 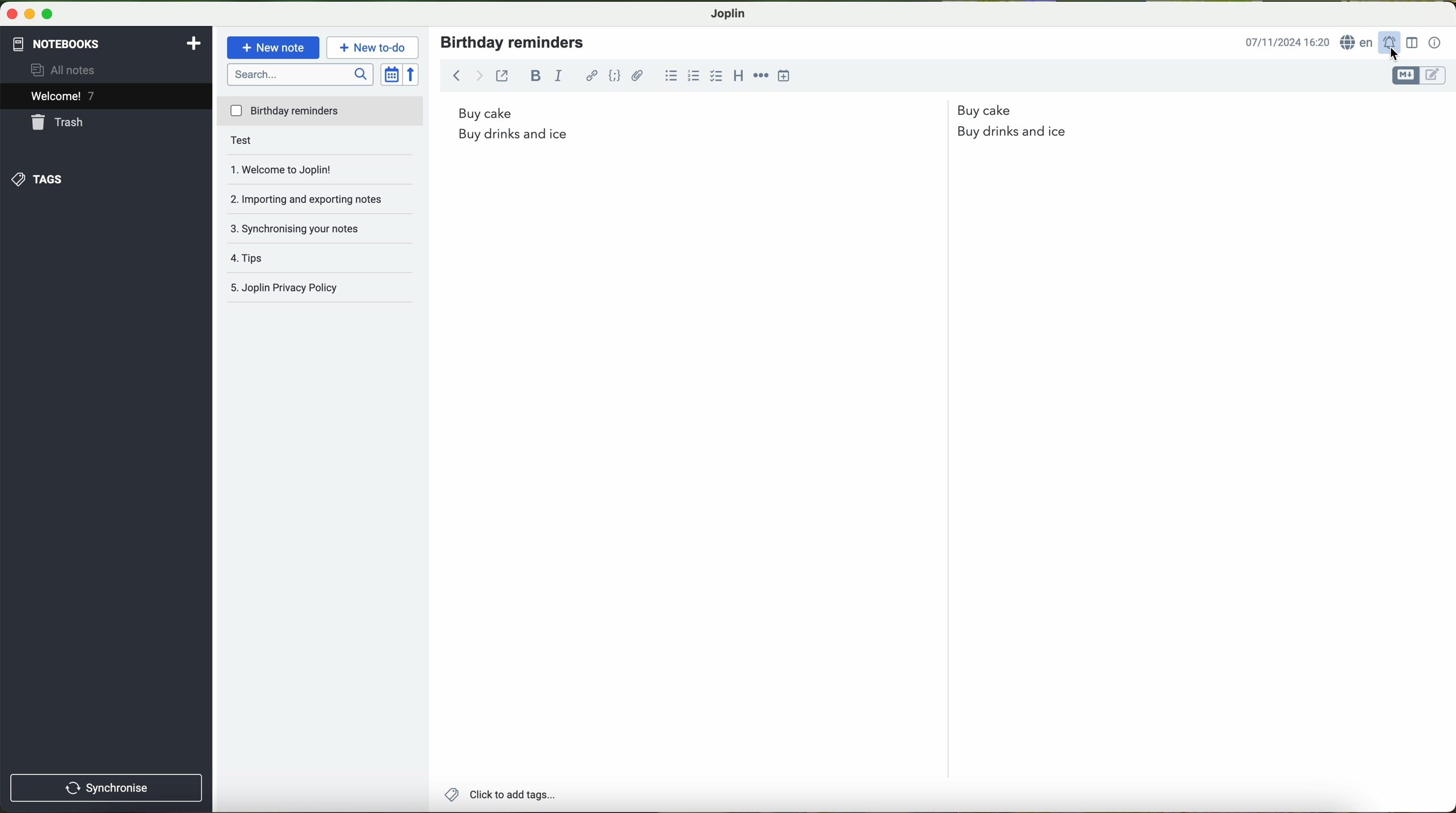 I want to click on italic, so click(x=560, y=76).